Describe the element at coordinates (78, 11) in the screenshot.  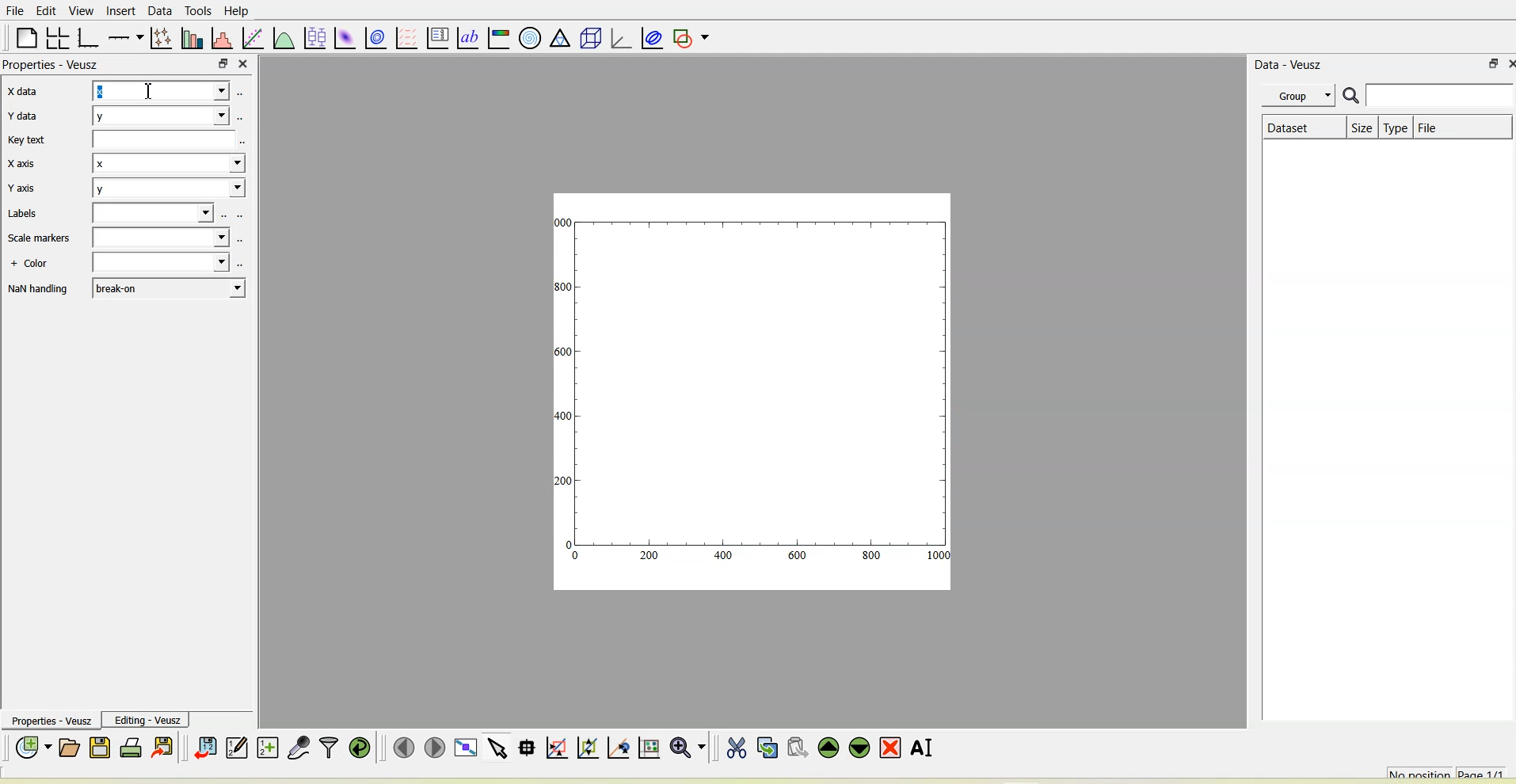
I see `View` at that location.